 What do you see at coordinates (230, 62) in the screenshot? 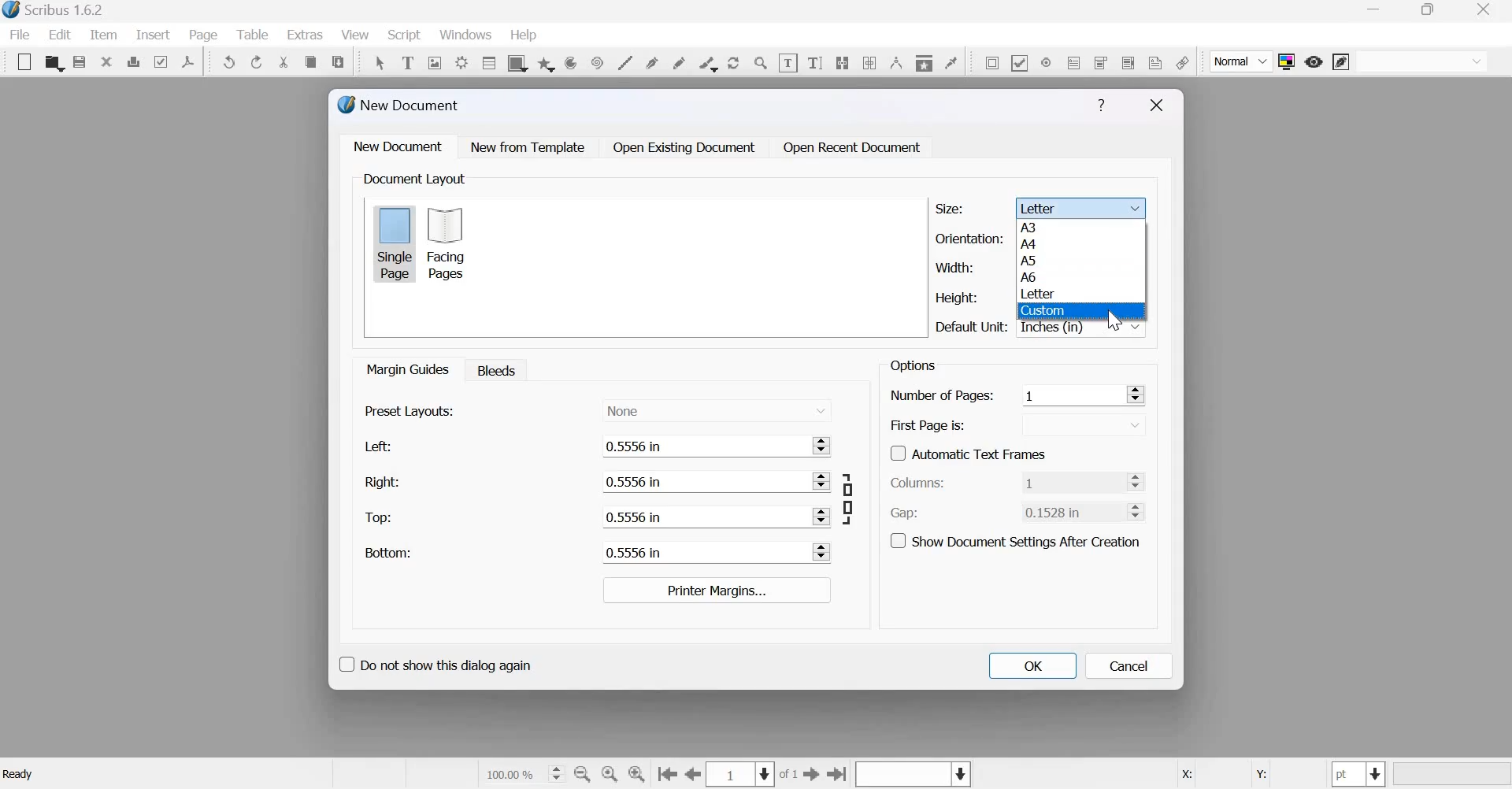
I see `Undo` at bounding box center [230, 62].